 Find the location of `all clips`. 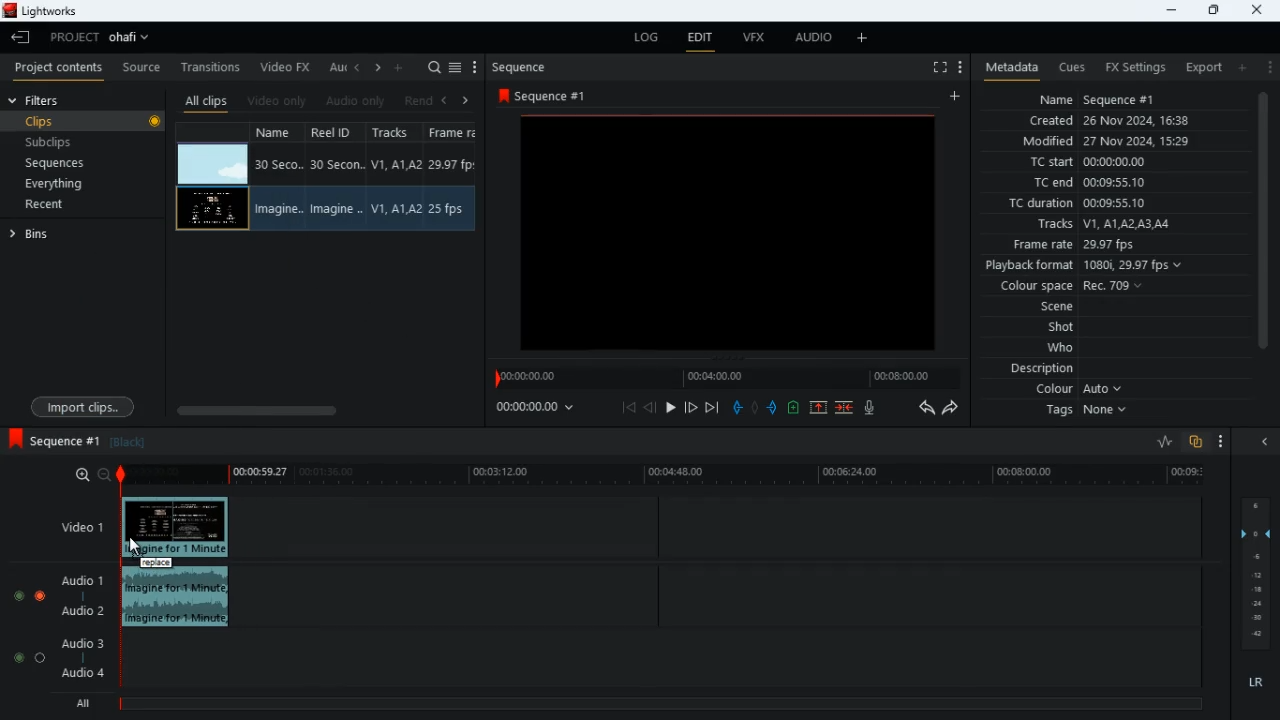

all clips is located at coordinates (206, 101).